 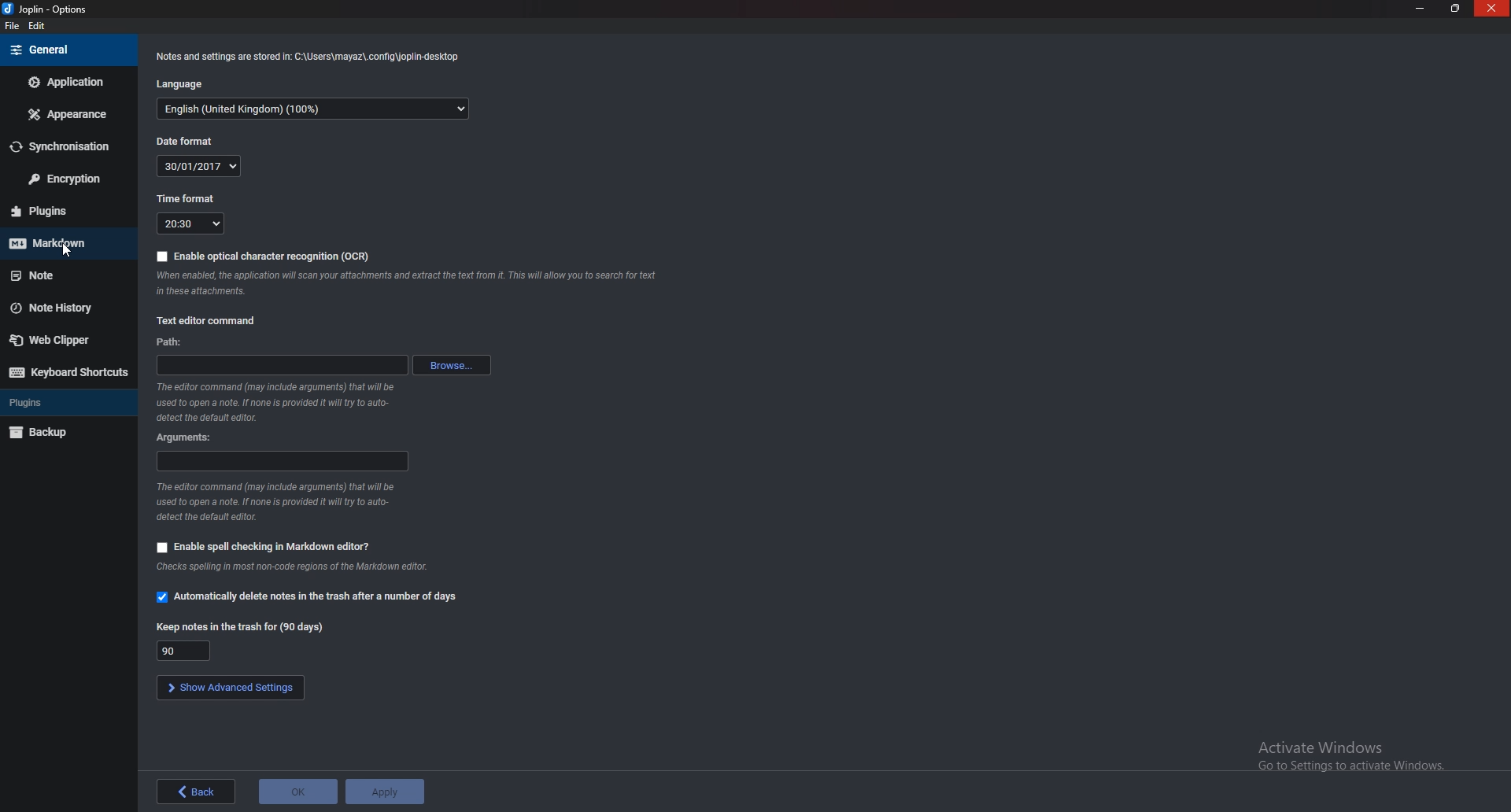 What do you see at coordinates (59, 341) in the screenshot?
I see `Web clipper` at bounding box center [59, 341].